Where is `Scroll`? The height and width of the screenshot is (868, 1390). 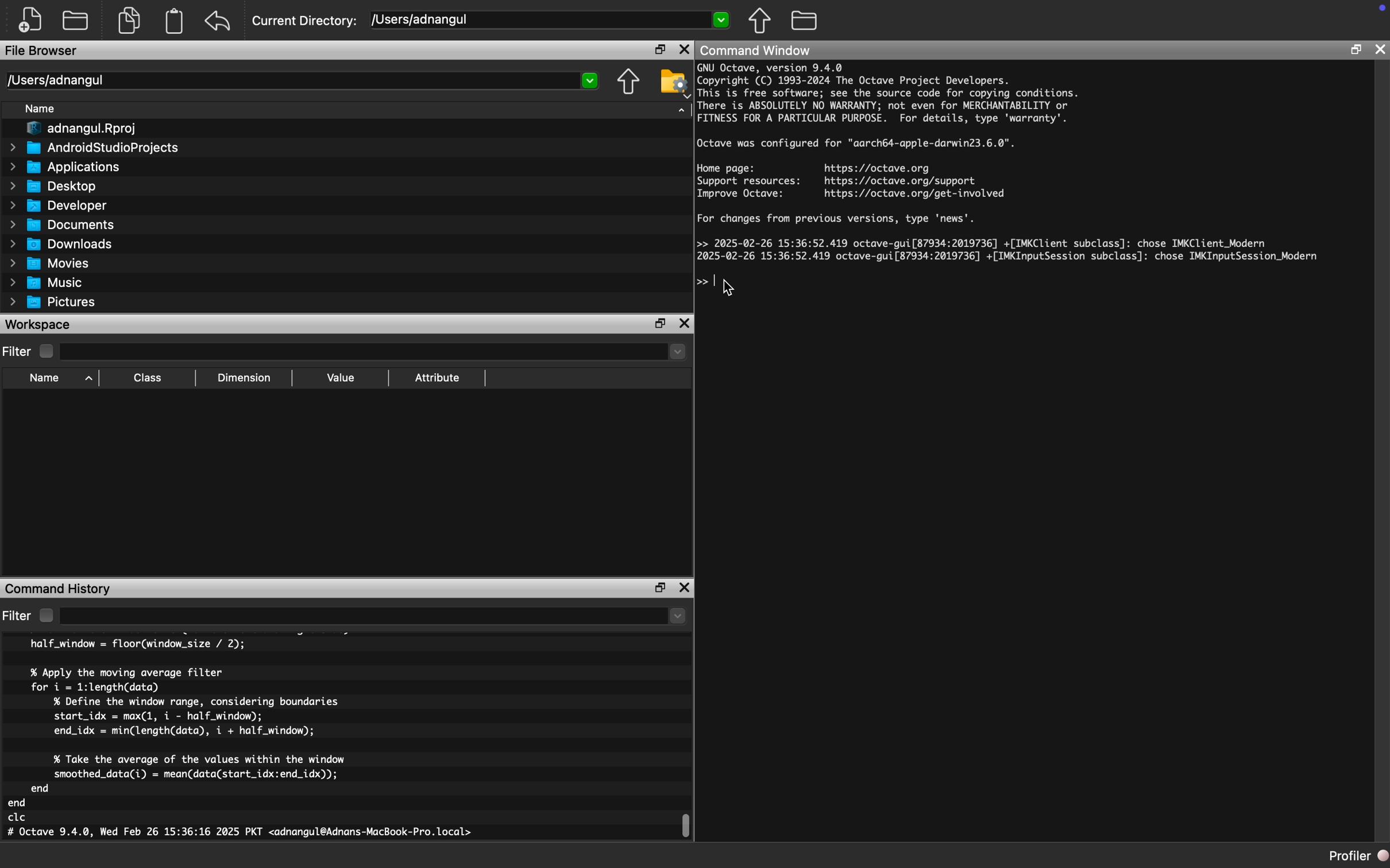 Scroll is located at coordinates (690, 823).